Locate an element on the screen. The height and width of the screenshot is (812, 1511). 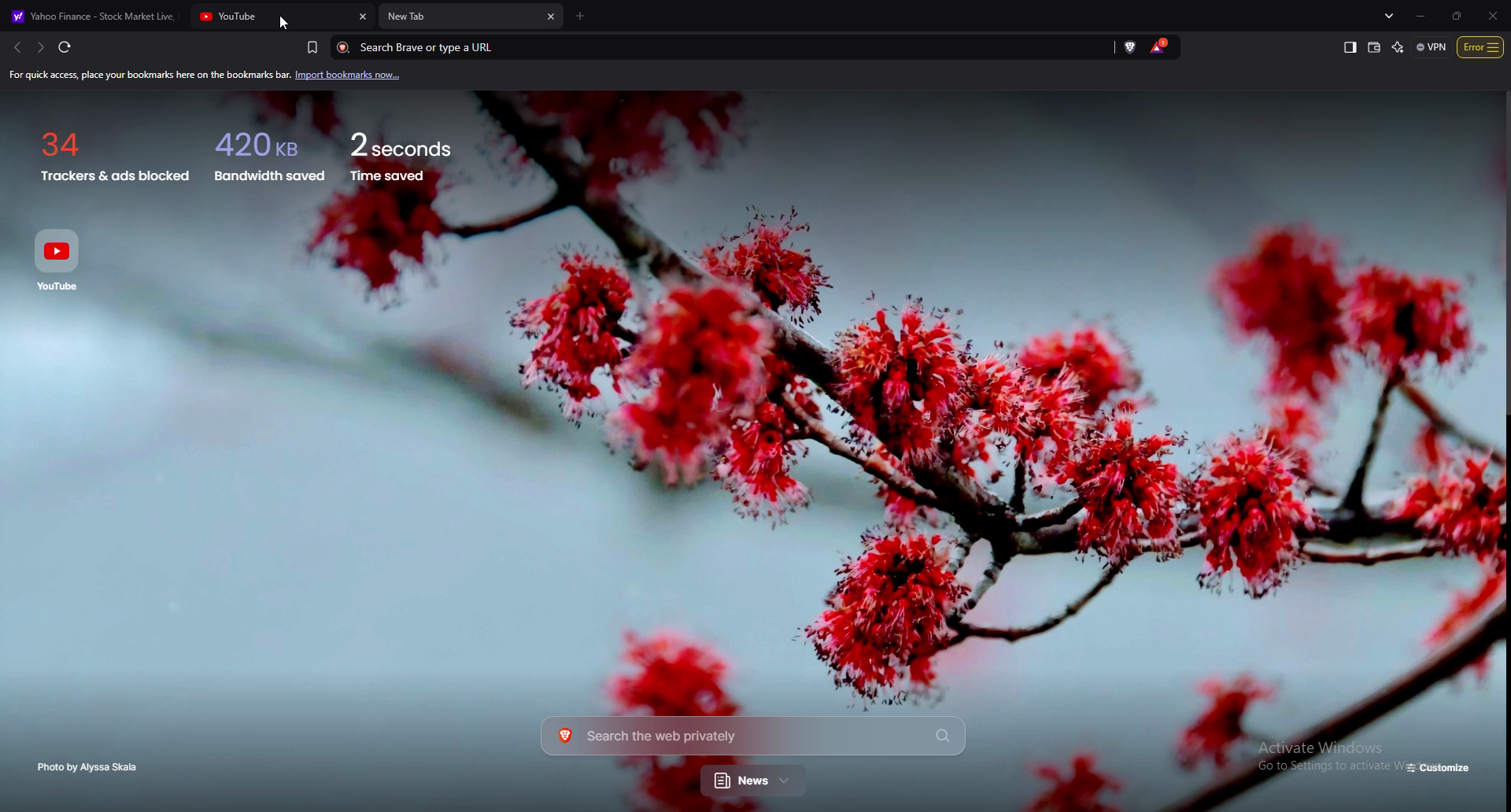
. Import bookmarks now. is located at coordinates (357, 76).